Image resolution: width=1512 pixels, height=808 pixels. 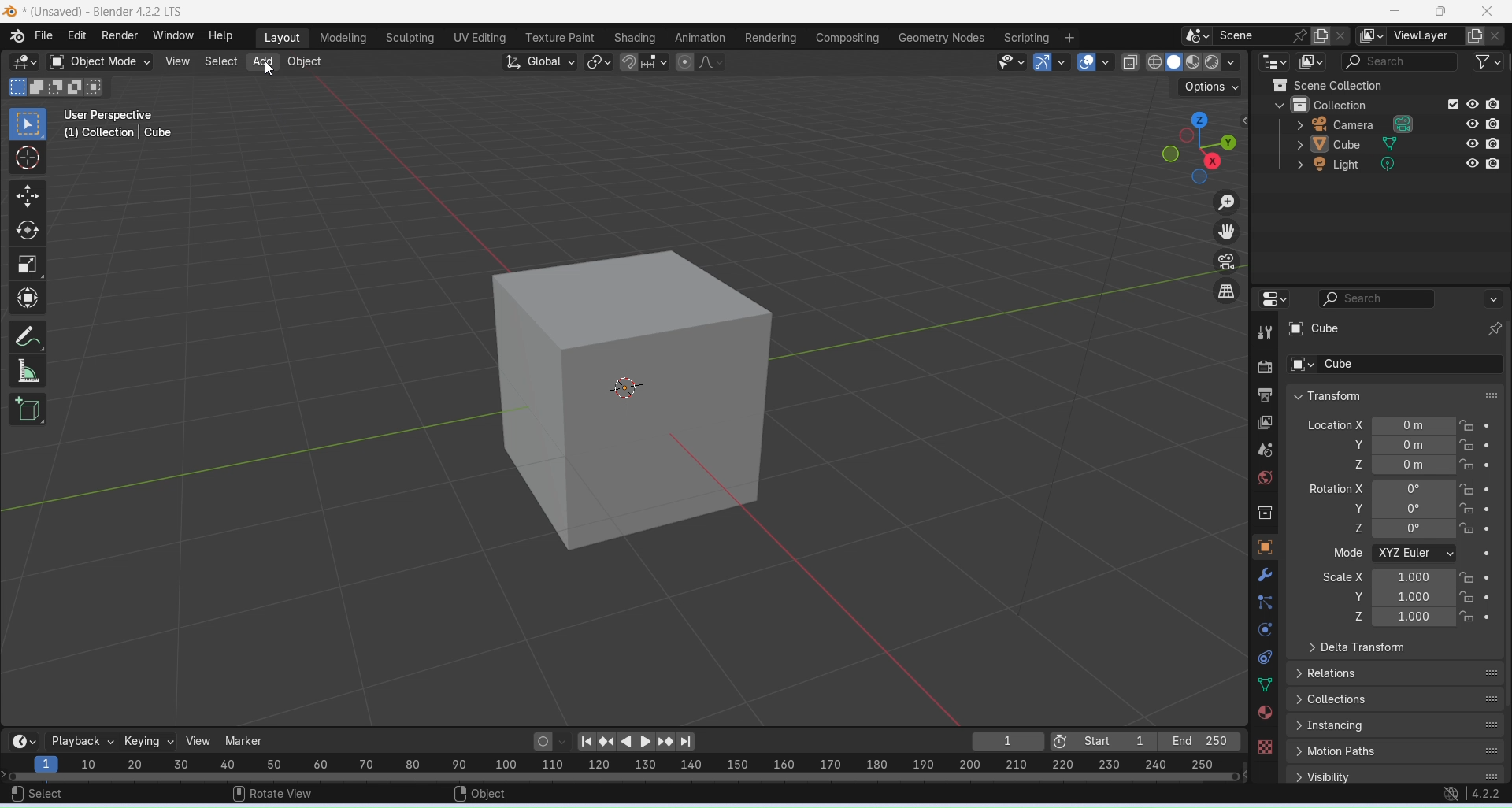 What do you see at coordinates (598, 61) in the screenshot?
I see `Transform pivot point` at bounding box center [598, 61].